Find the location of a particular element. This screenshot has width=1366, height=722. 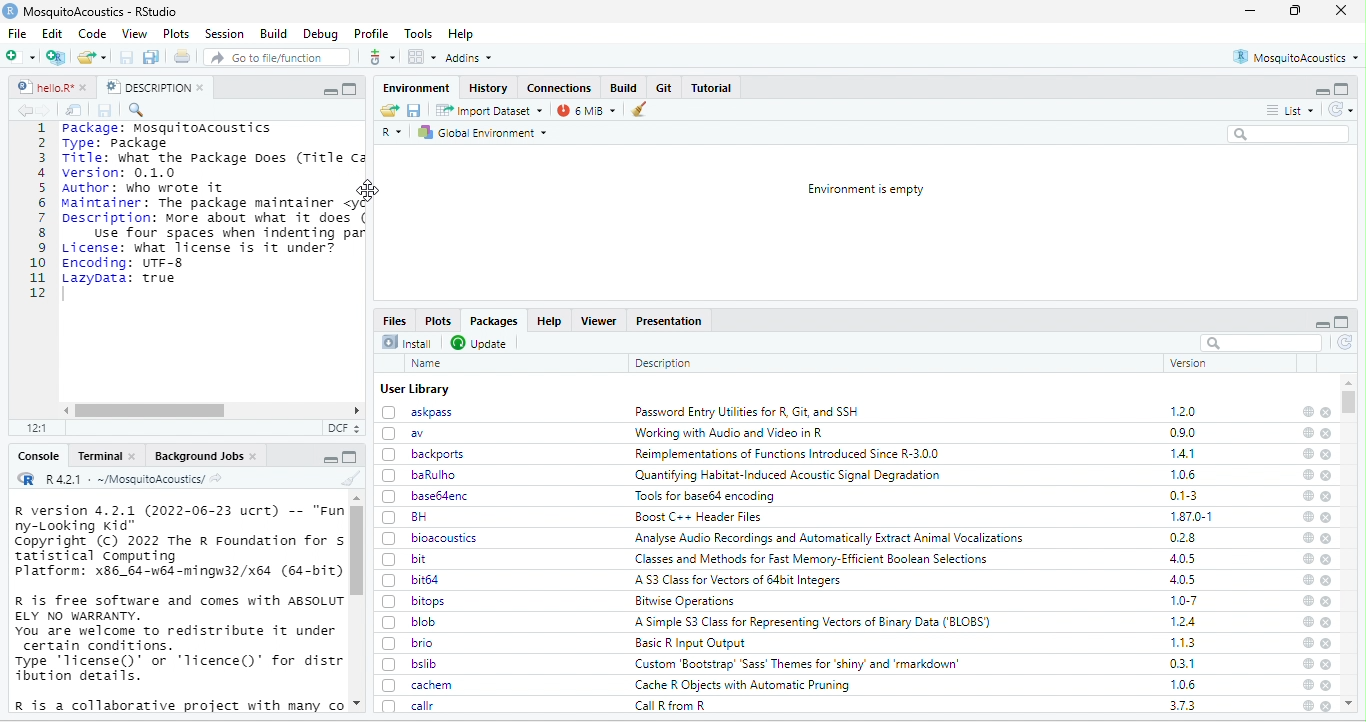

close is located at coordinates (1328, 581).